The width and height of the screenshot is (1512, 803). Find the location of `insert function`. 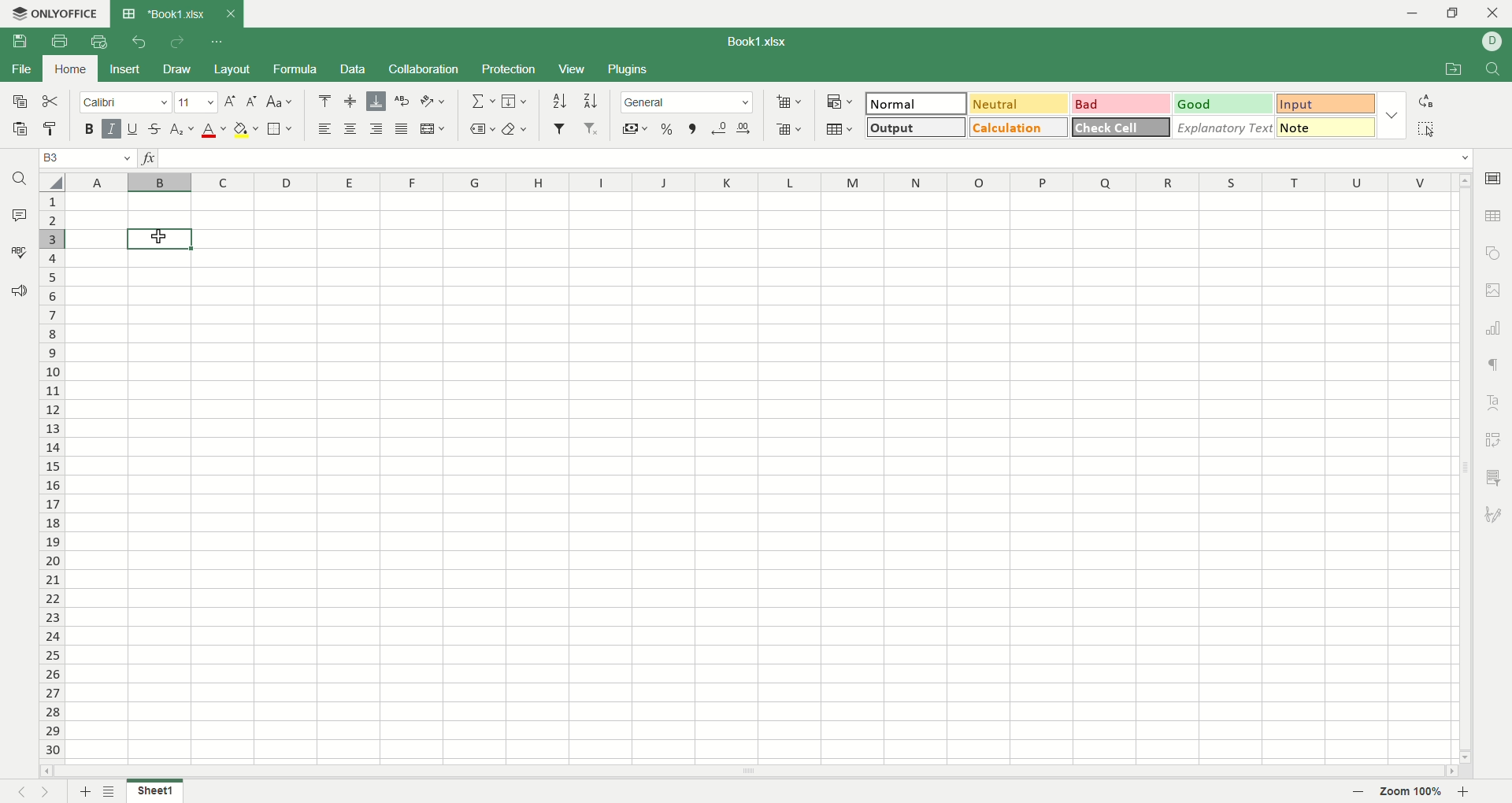

insert function is located at coordinates (149, 158).